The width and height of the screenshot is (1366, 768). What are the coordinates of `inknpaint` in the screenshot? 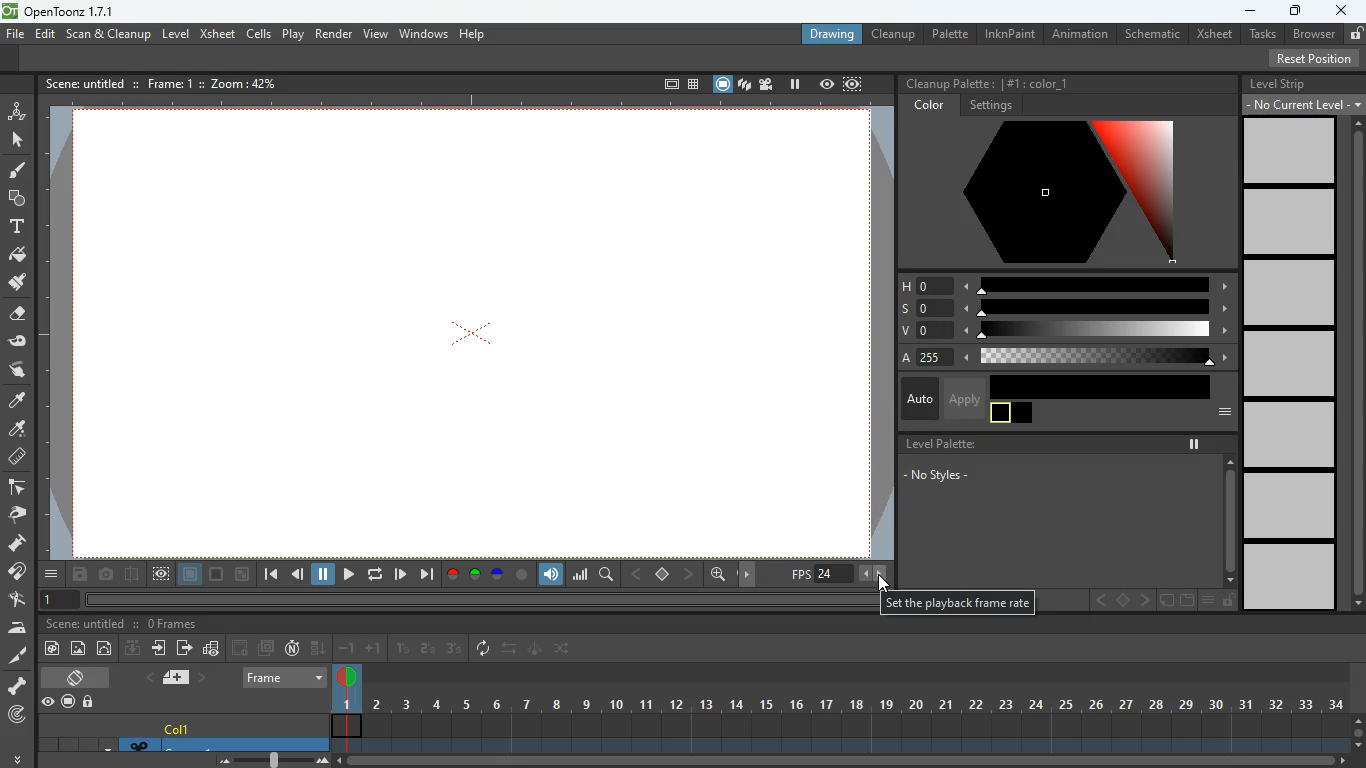 It's located at (1009, 35).